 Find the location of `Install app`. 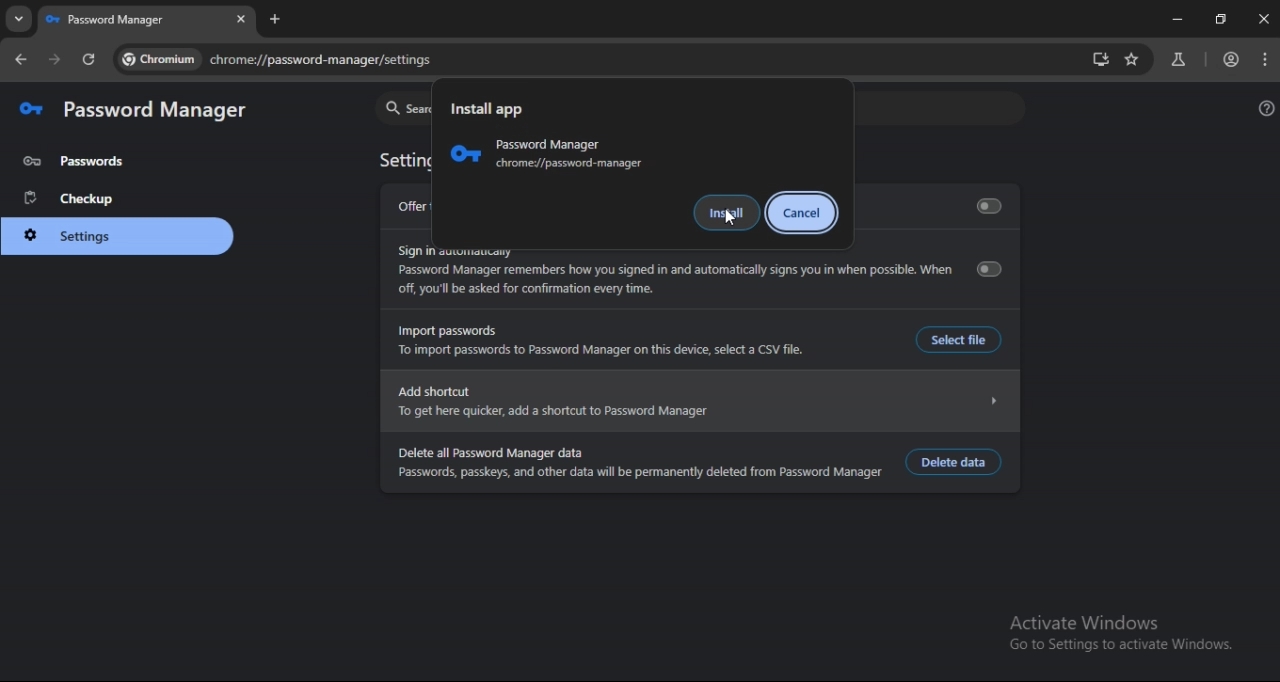

Install app is located at coordinates (487, 109).